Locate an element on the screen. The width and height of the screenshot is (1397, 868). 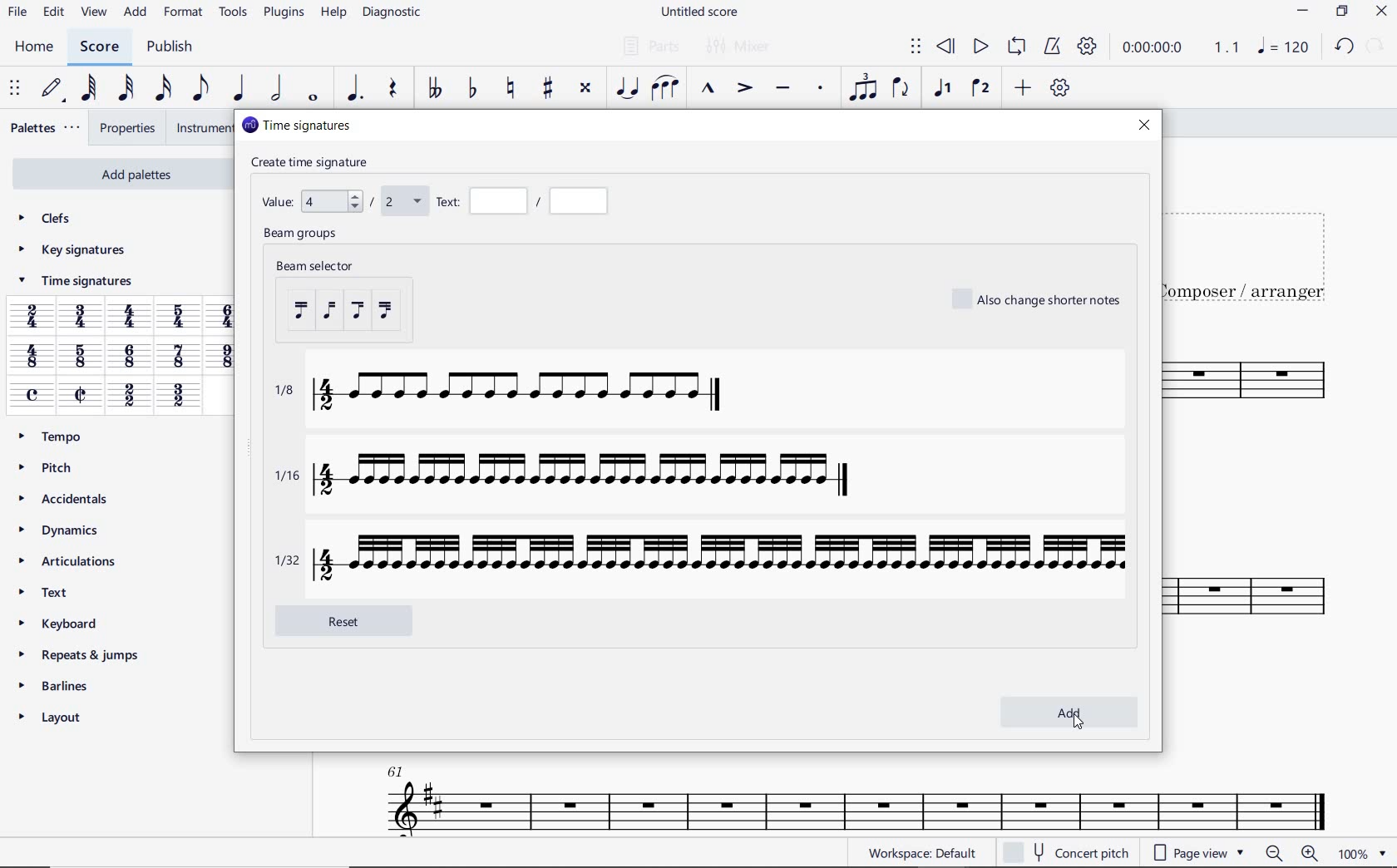
add is located at coordinates (1072, 713).